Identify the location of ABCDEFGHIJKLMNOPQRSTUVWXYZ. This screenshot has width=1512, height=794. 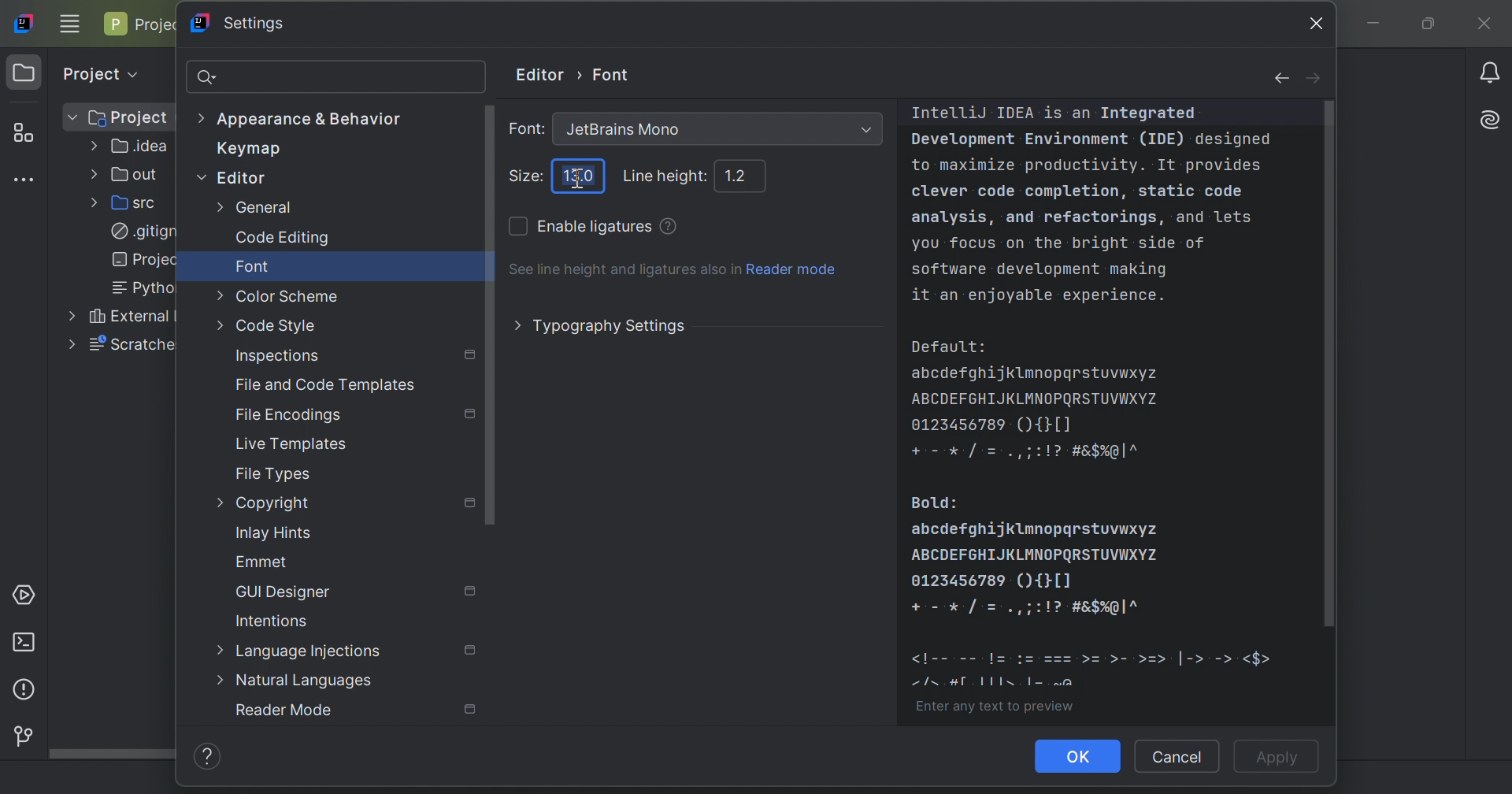
(1038, 554).